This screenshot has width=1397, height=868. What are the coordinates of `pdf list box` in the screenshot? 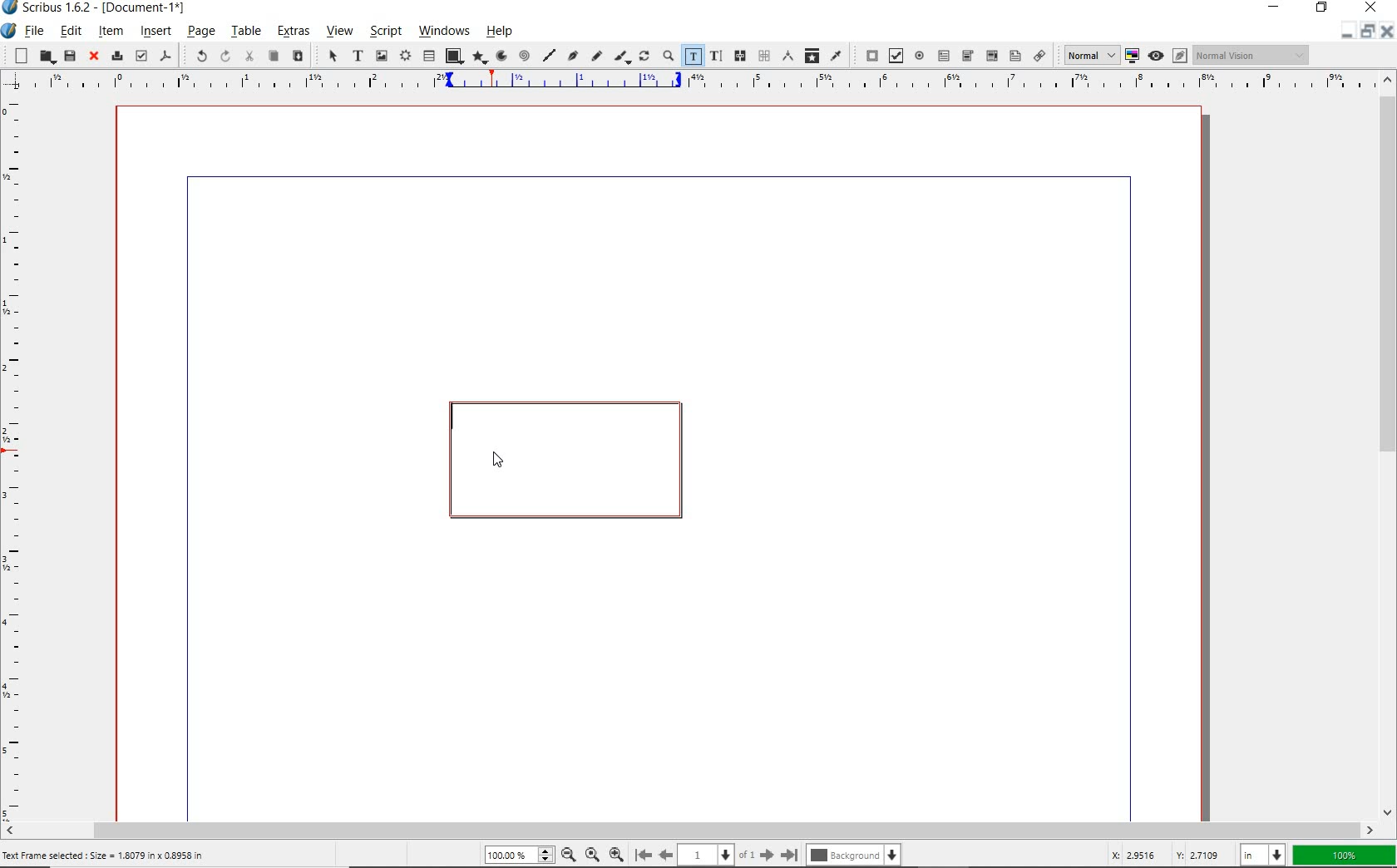 It's located at (1014, 56).